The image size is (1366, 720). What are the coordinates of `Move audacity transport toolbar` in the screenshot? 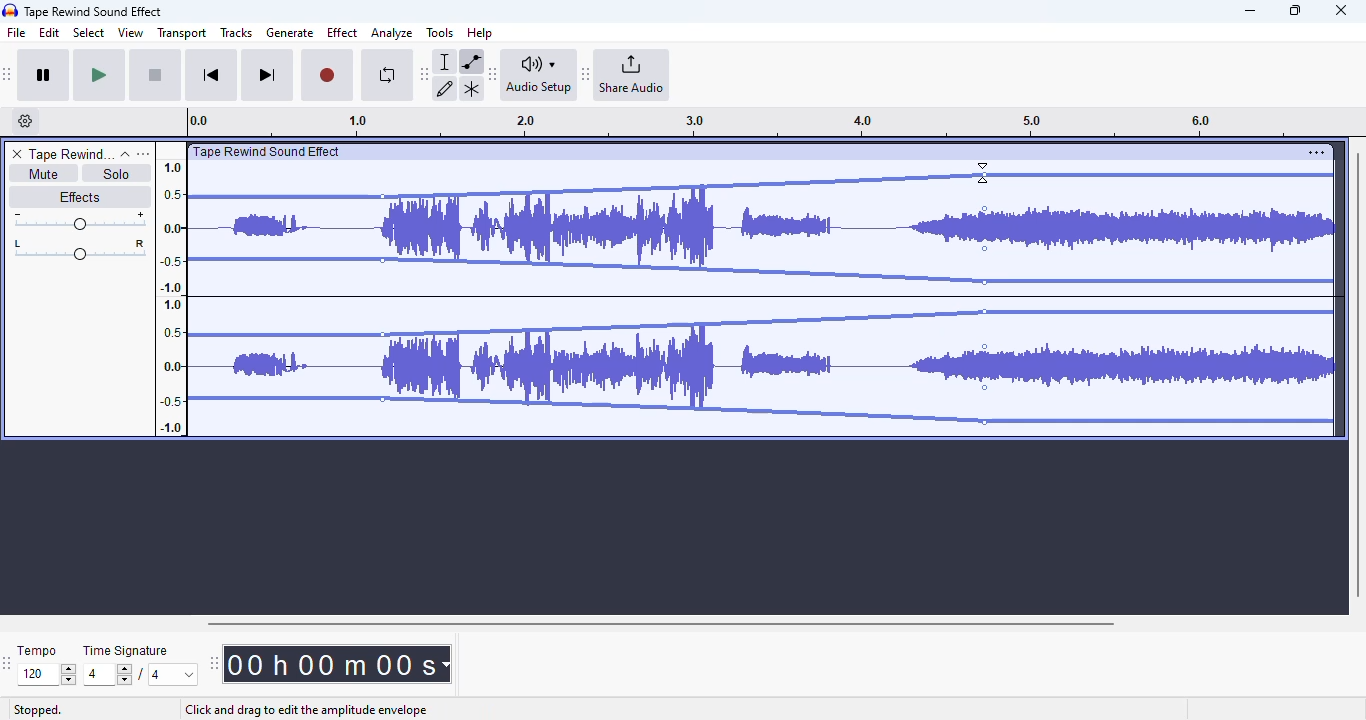 It's located at (8, 74).